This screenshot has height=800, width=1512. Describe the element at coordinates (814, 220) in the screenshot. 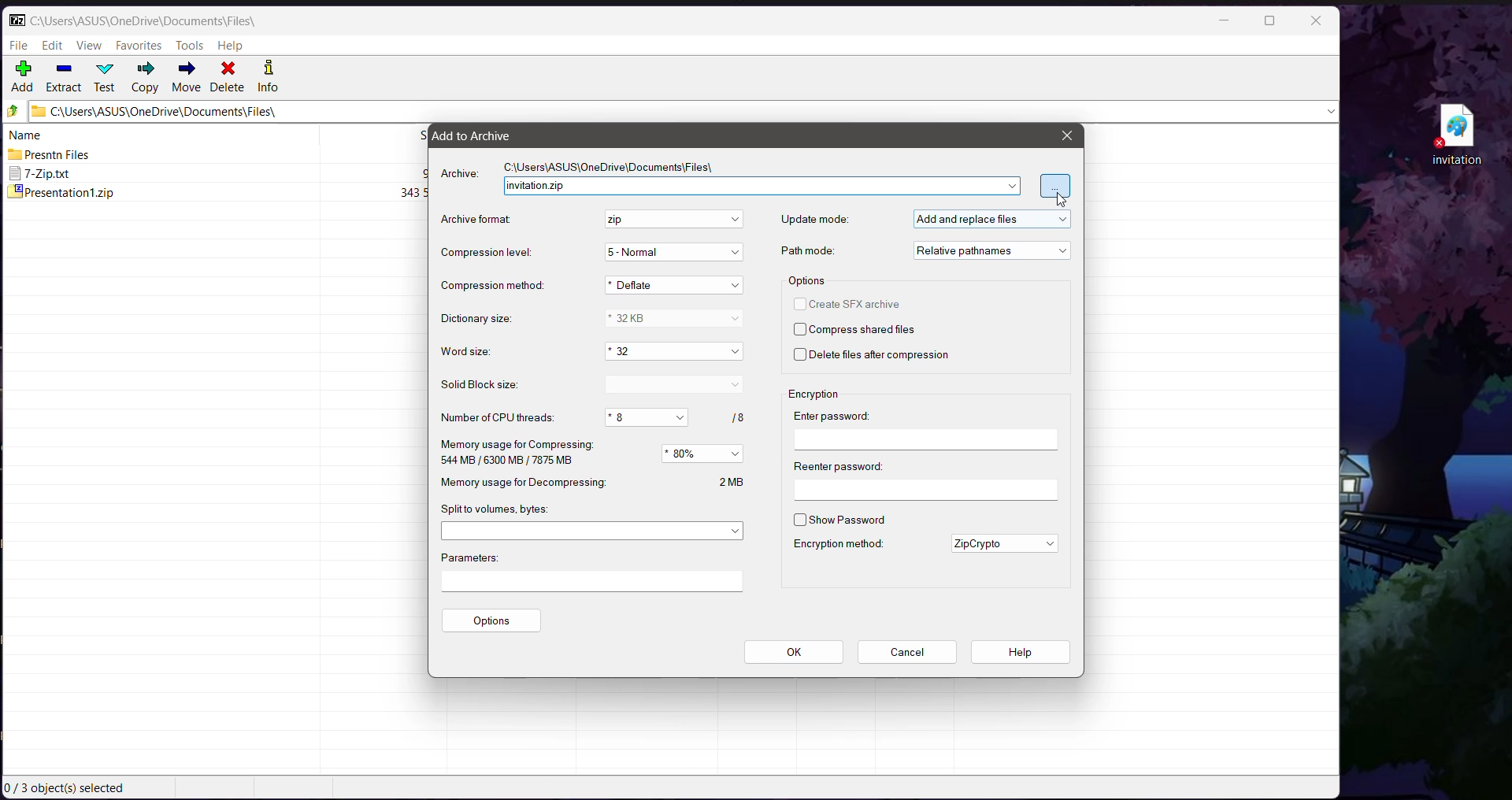

I see `Update mode` at that location.